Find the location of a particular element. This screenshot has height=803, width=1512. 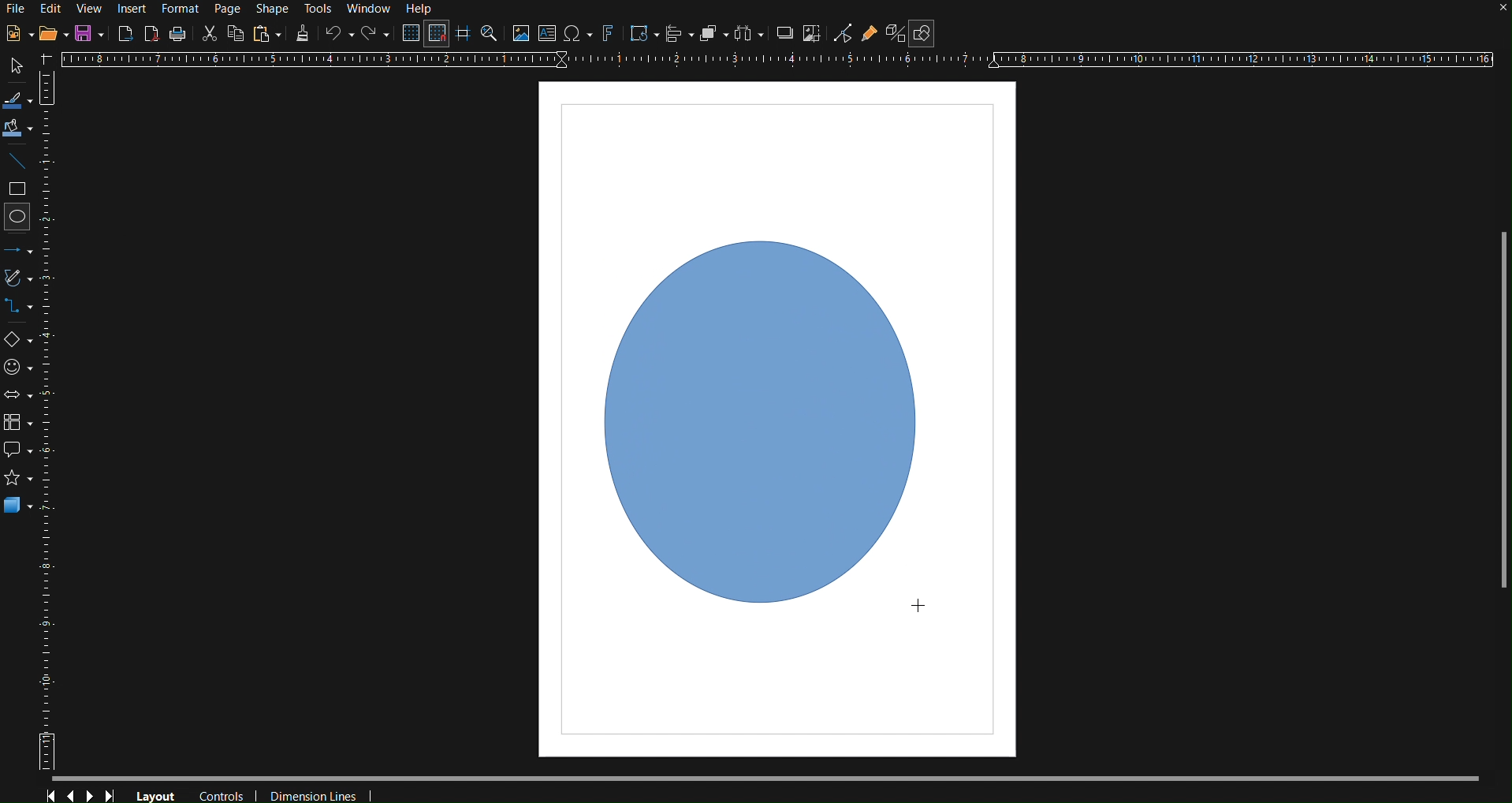

Insert is located at coordinates (134, 9).